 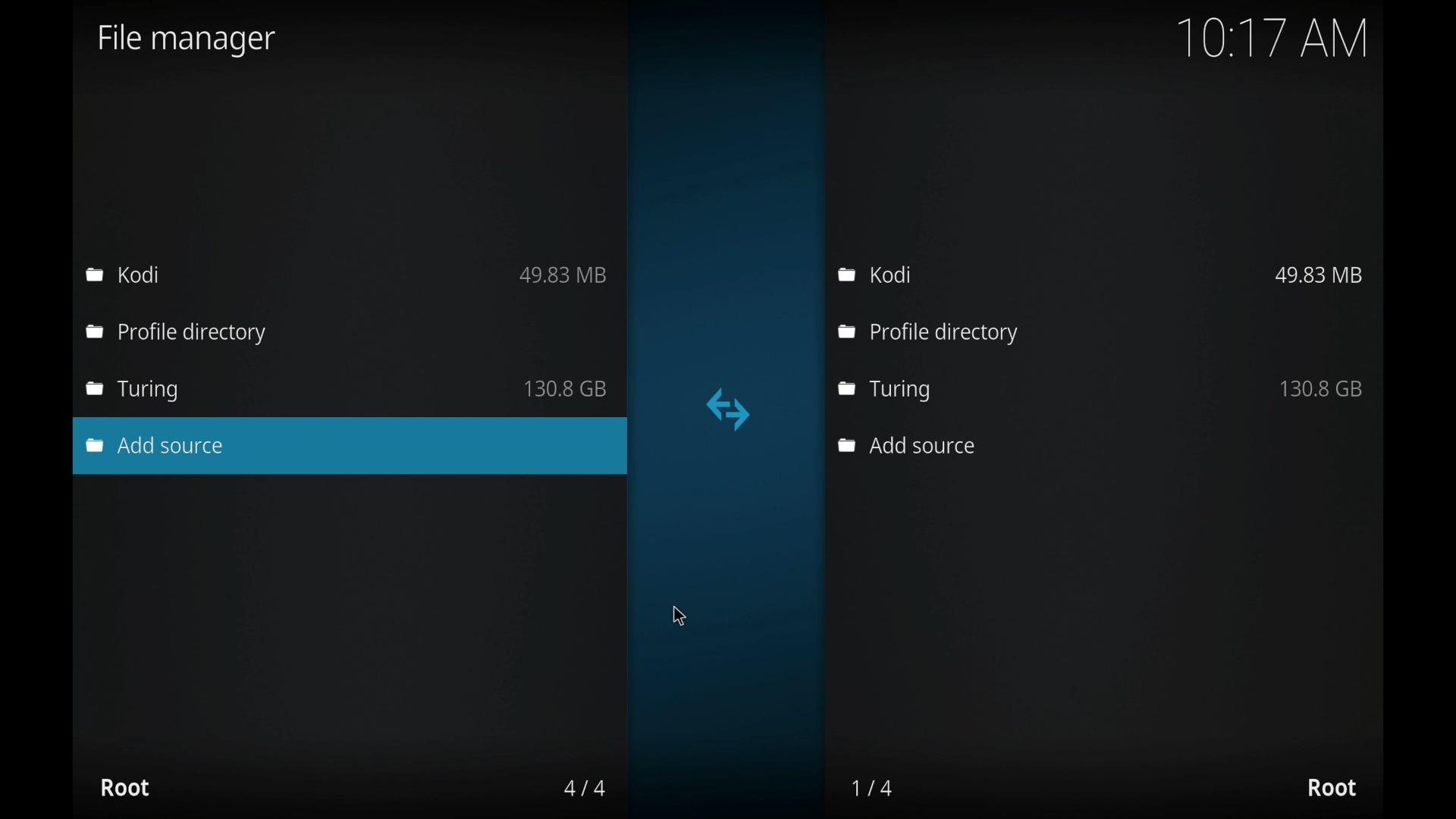 I want to click on turing, so click(x=905, y=389).